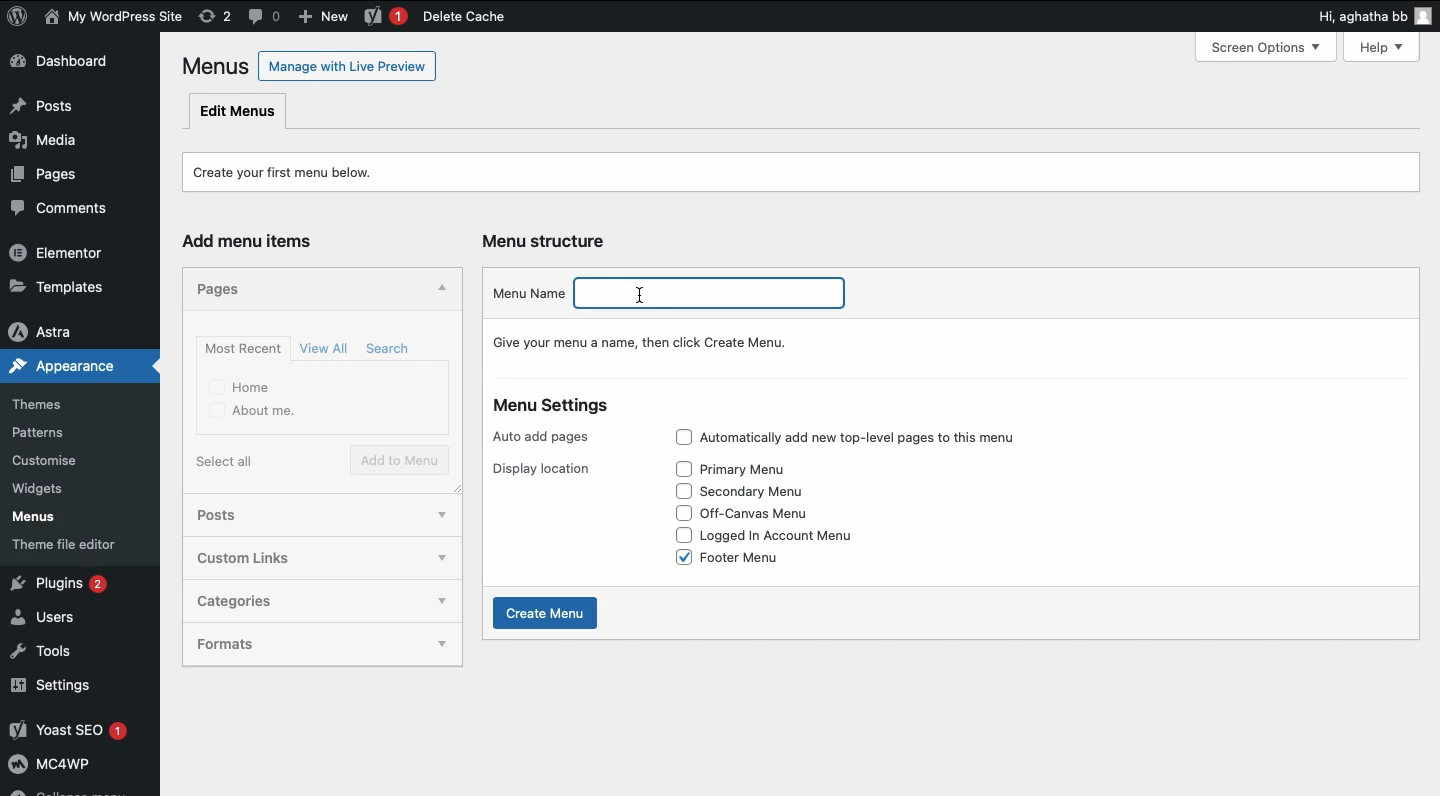 Image resolution: width=1440 pixels, height=796 pixels. What do you see at coordinates (443, 287) in the screenshot?
I see `Hide` at bounding box center [443, 287].